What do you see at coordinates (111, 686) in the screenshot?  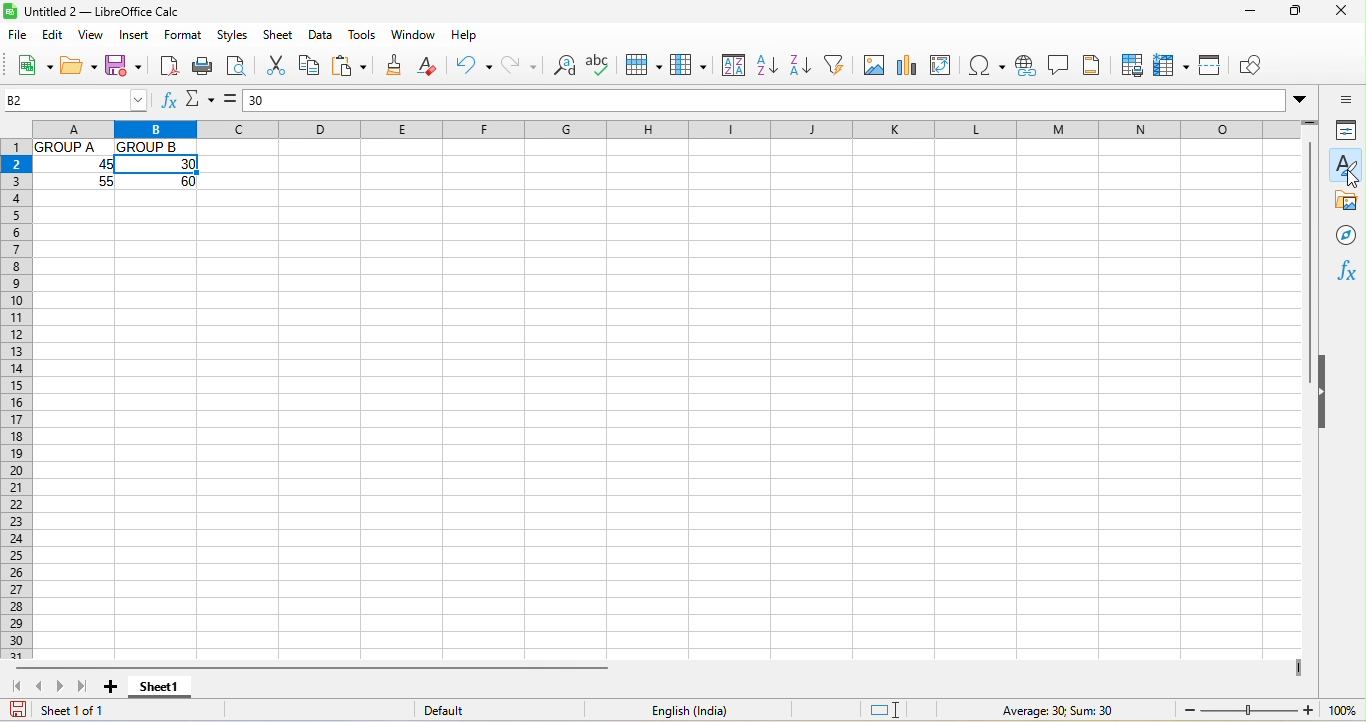 I see `add sheet` at bounding box center [111, 686].